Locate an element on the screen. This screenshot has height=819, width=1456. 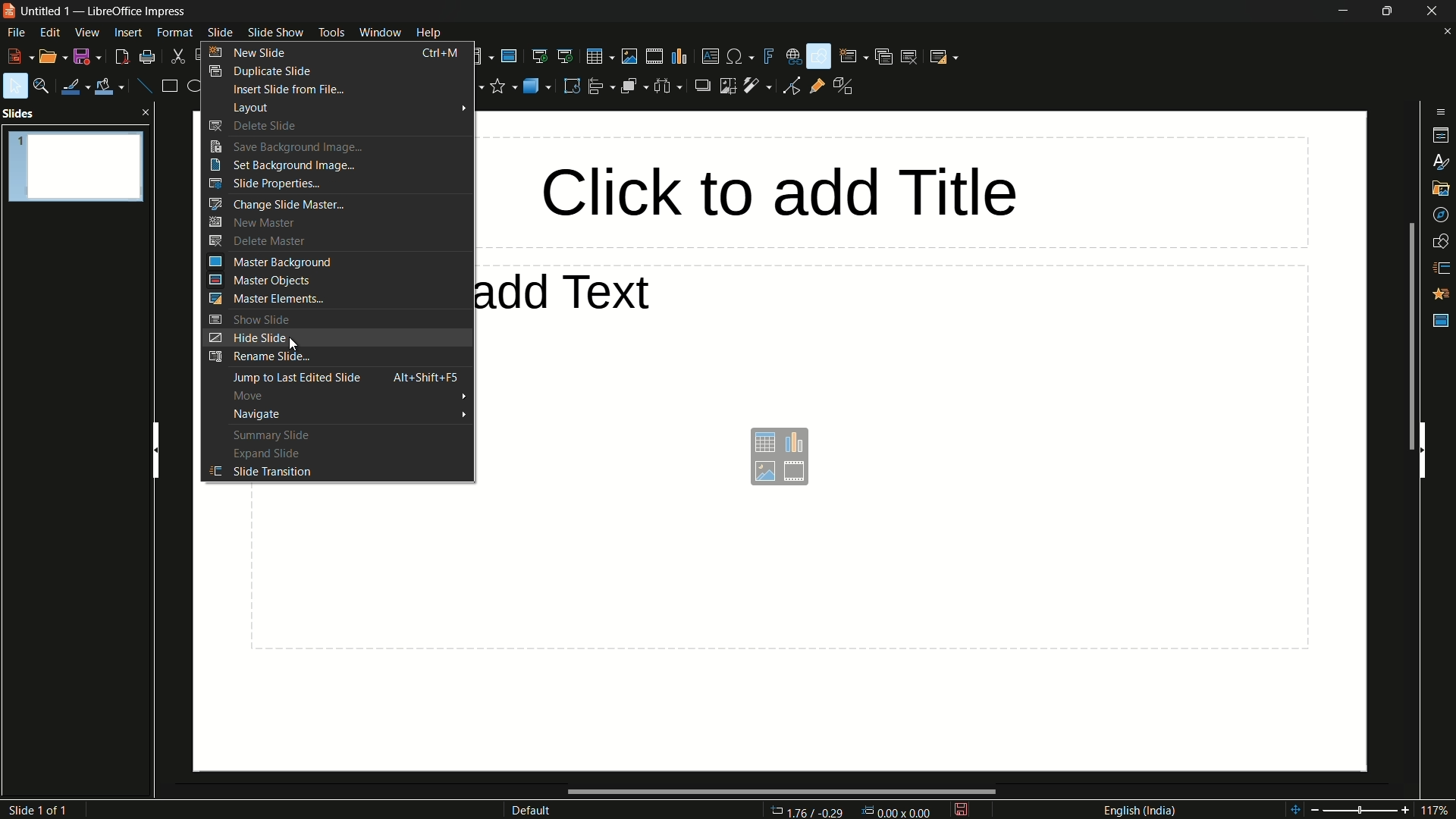
show slide is located at coordinates (250, 320).